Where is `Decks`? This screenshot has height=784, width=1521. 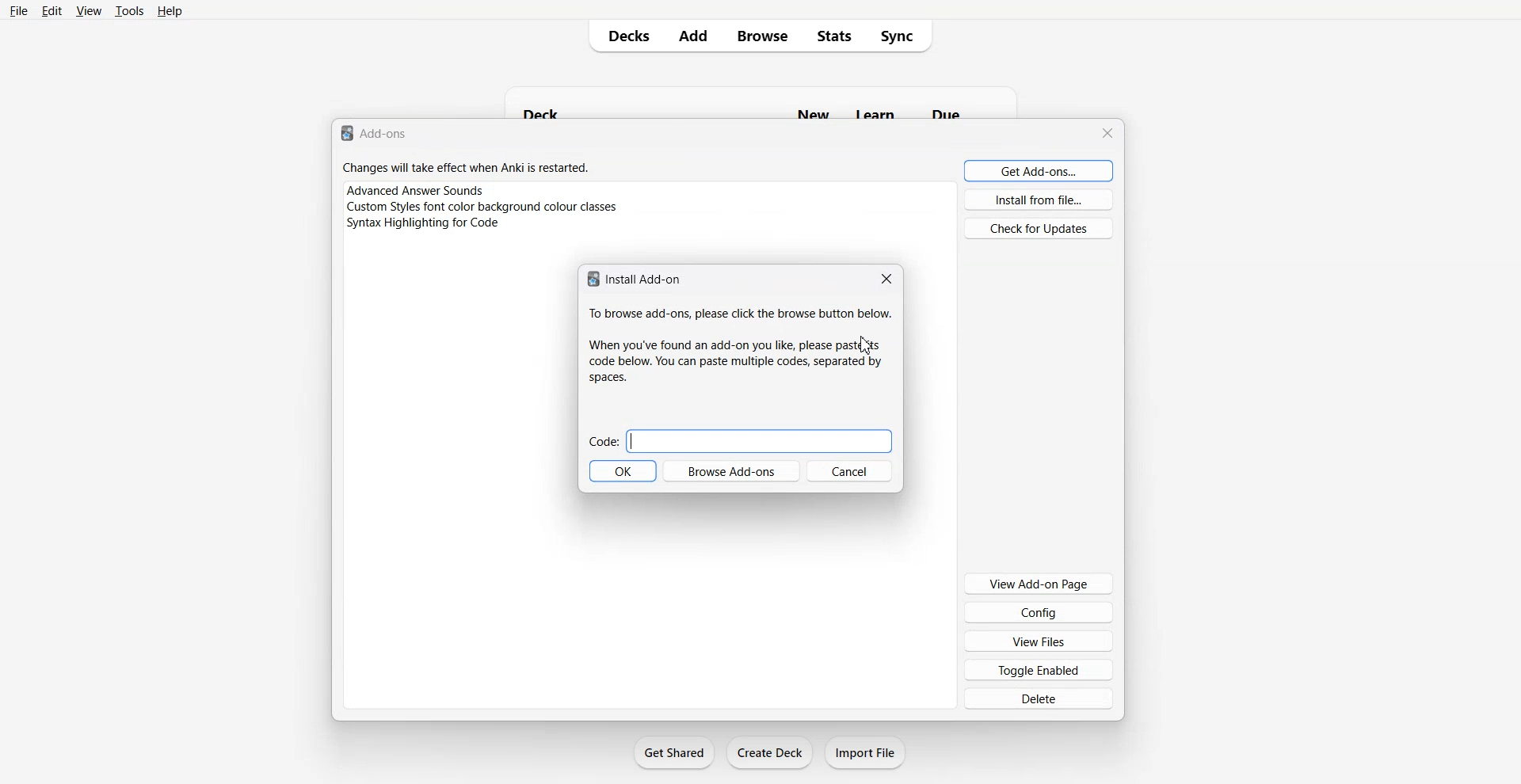
Decks is located at coordinates (623, 36).